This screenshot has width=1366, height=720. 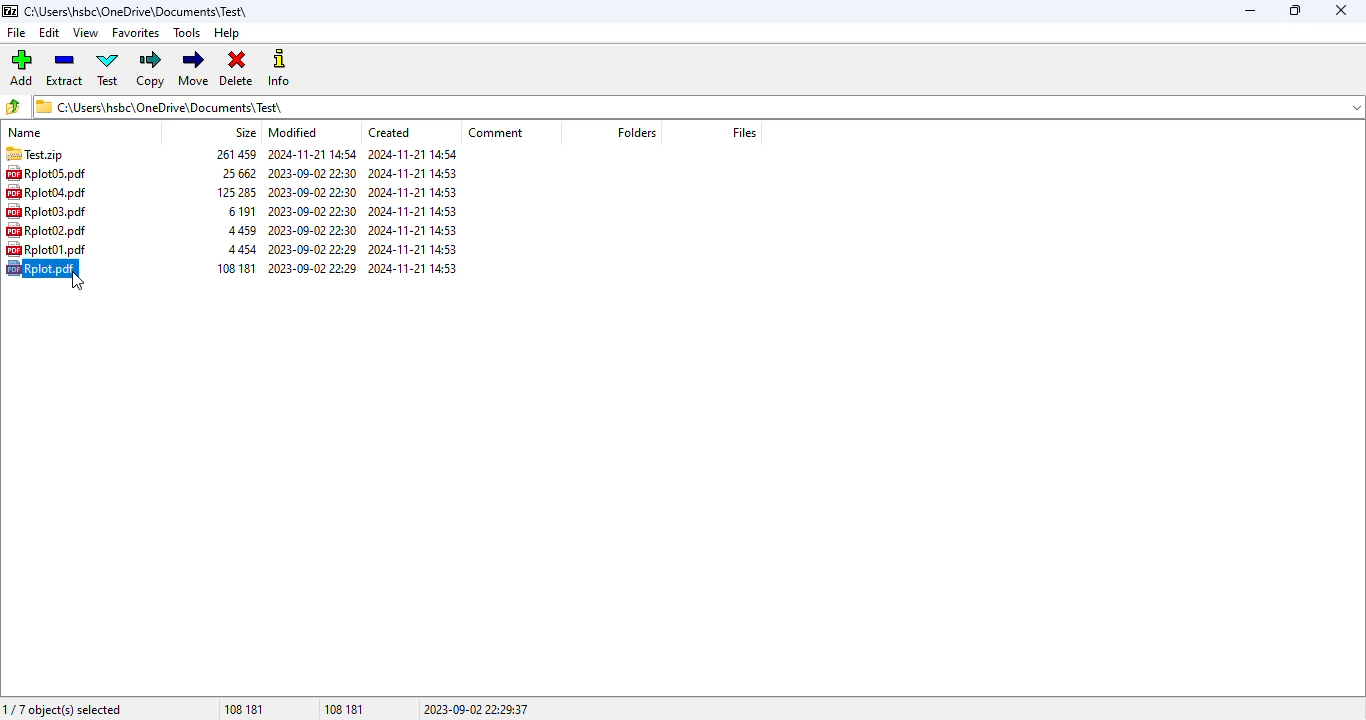 What do you see at coordinates (313, 210) in the screenshot?
I see ` 2023-09-02 22:30` at bounding box center [313, 210].